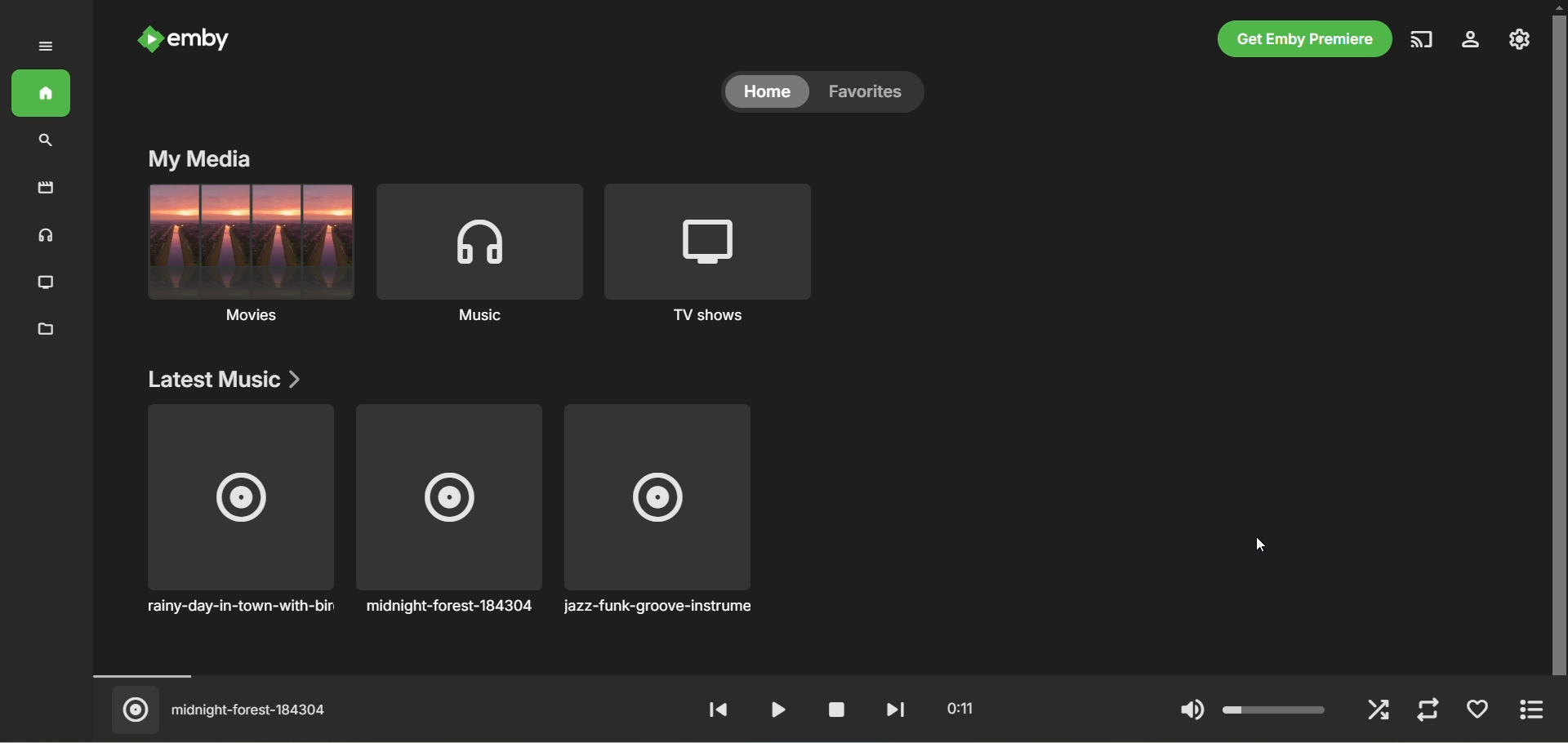 This screenshot has width=1568, height=743. I want to click on favorites, so click(1479, 712).